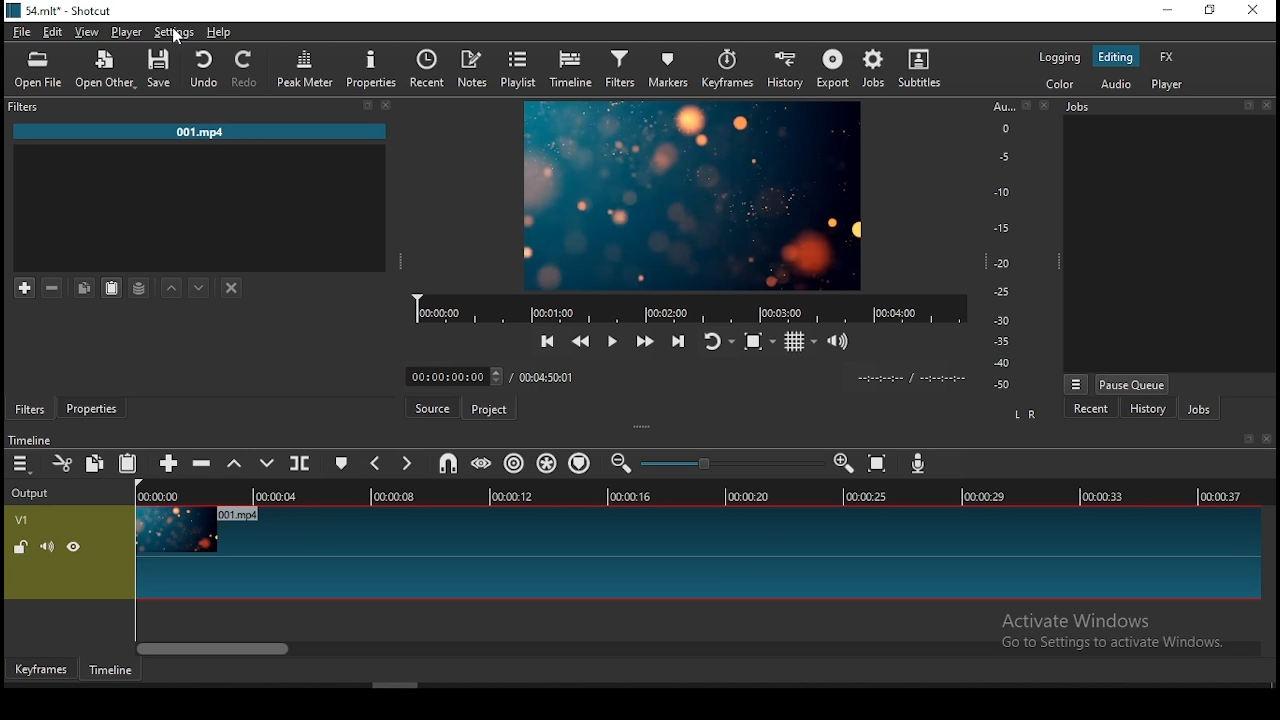  Describe the element at coordinates (863, 497) in the screenshot. I see `00:00:25` at that location.